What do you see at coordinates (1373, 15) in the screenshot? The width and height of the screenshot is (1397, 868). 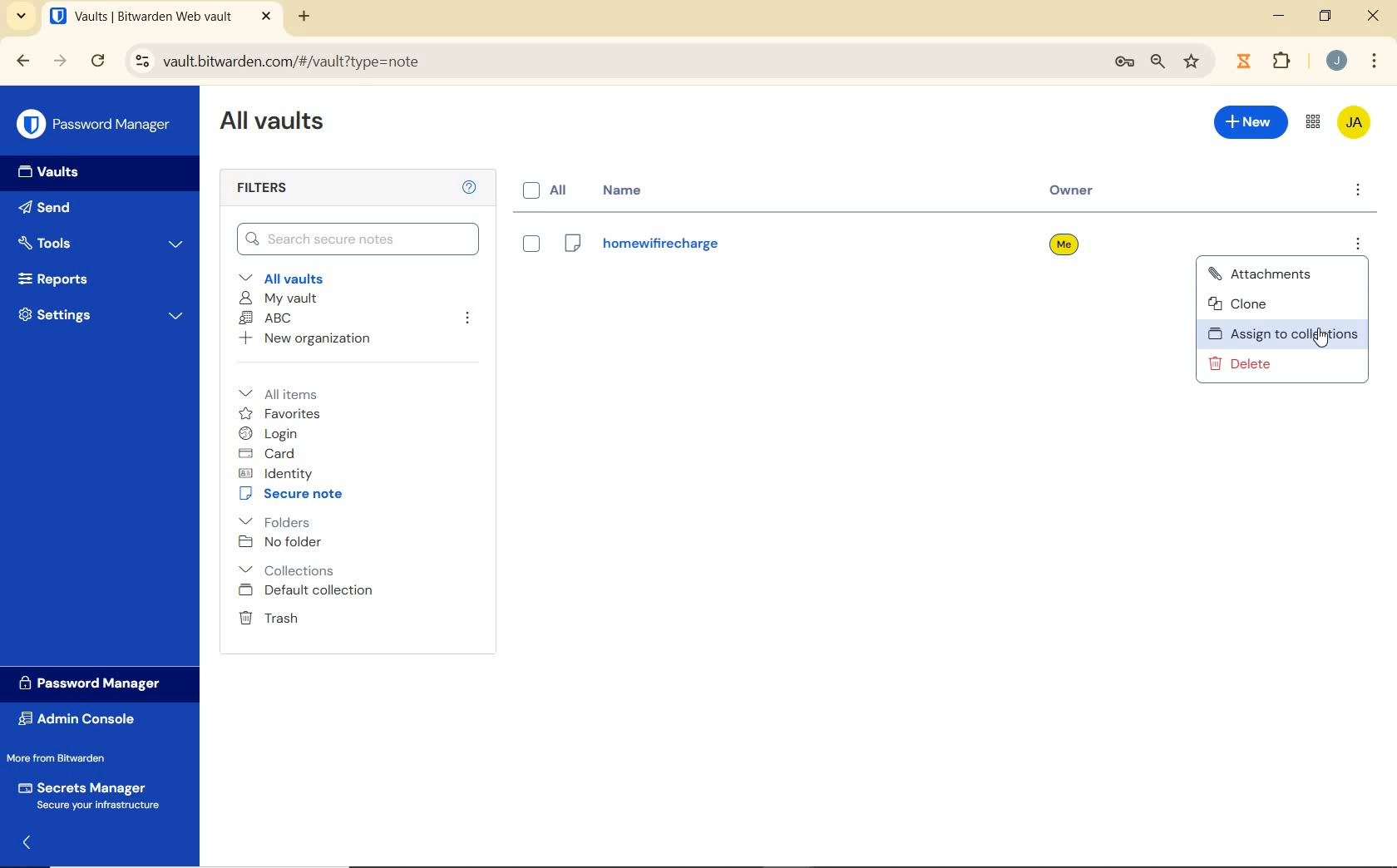 I see `close` at bounding box center [1373, 15].